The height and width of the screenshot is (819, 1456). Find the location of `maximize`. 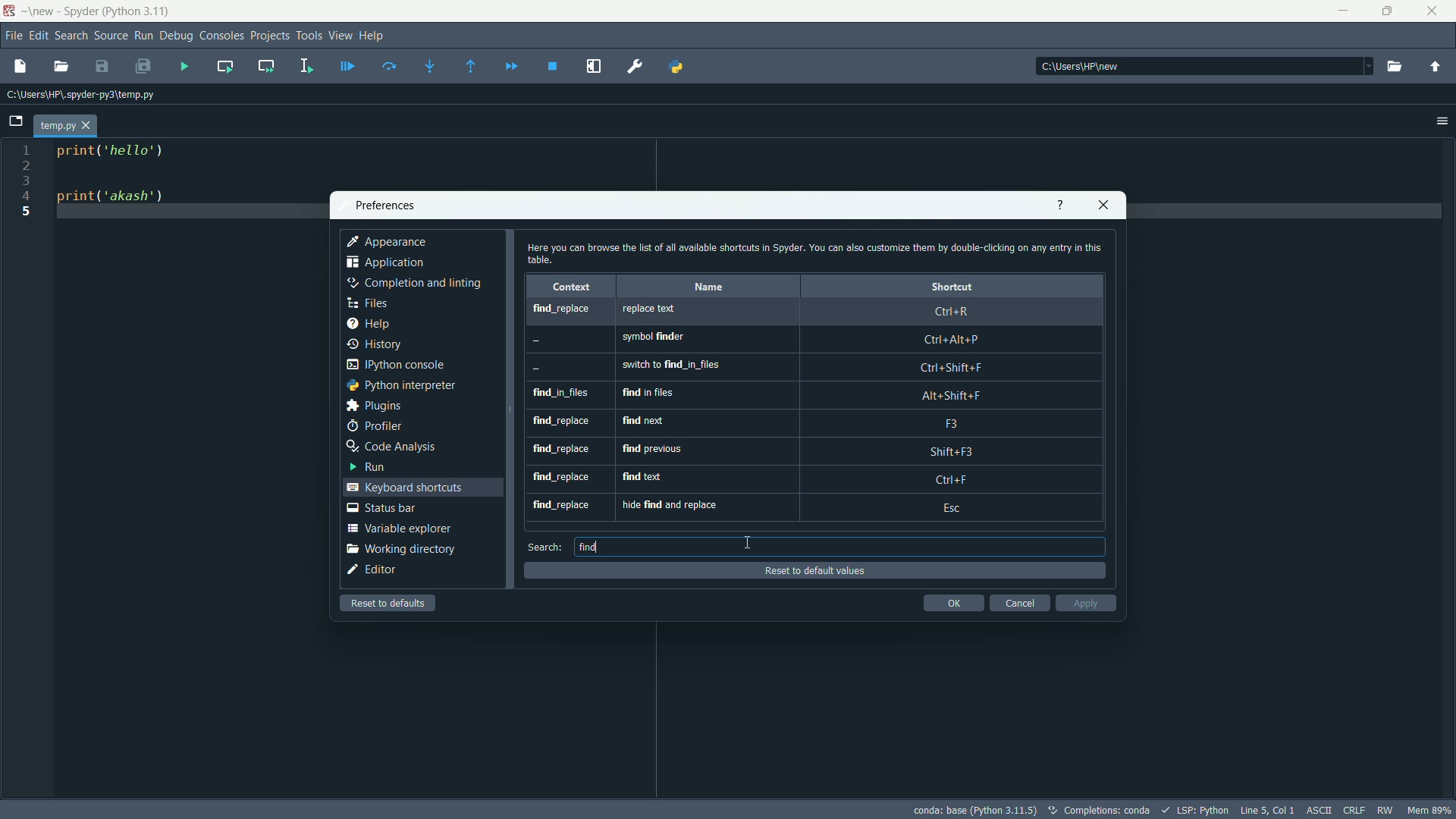

maximize is located at coordinates (1388, 11).